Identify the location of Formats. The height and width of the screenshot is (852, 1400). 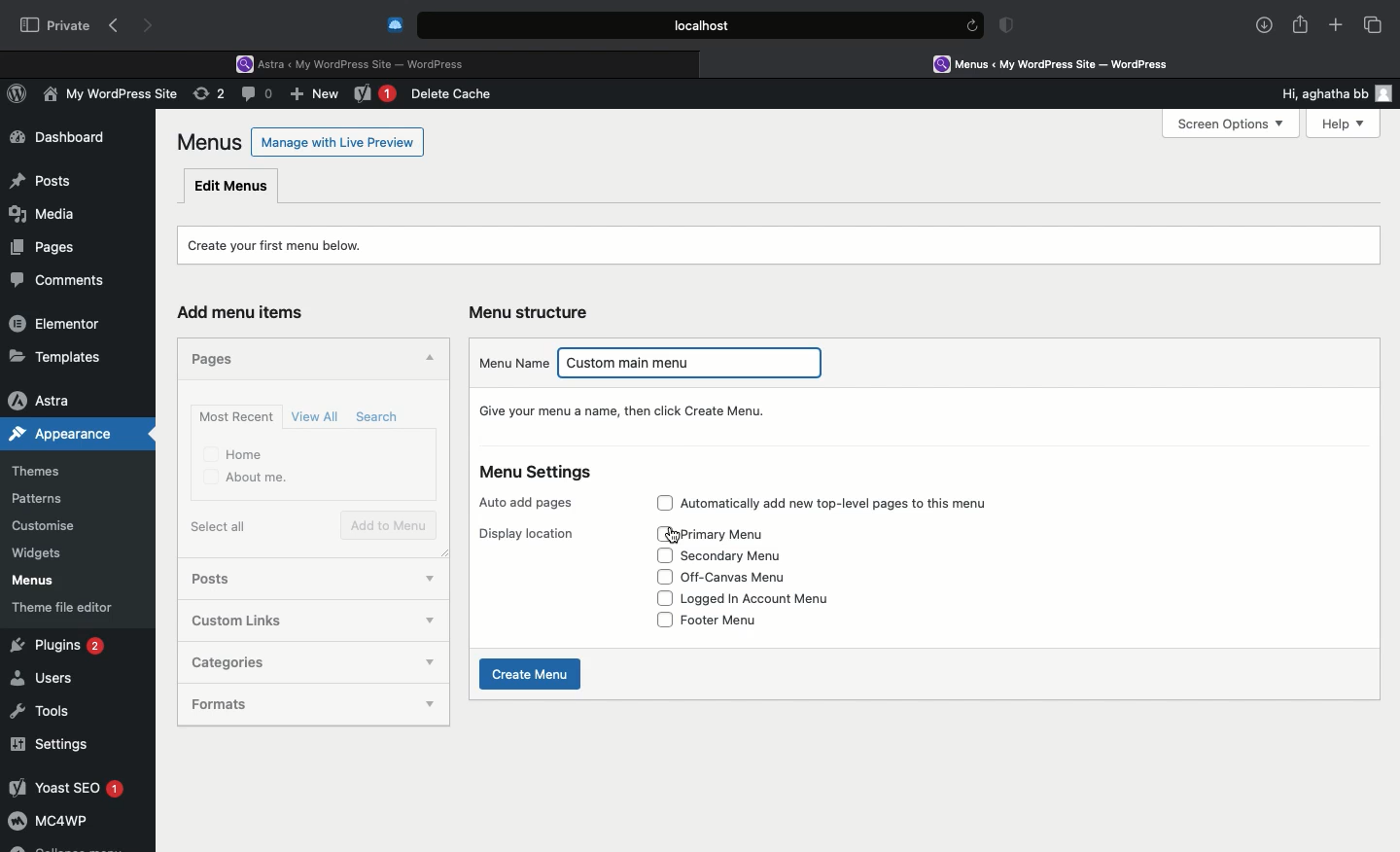
(289, 704).